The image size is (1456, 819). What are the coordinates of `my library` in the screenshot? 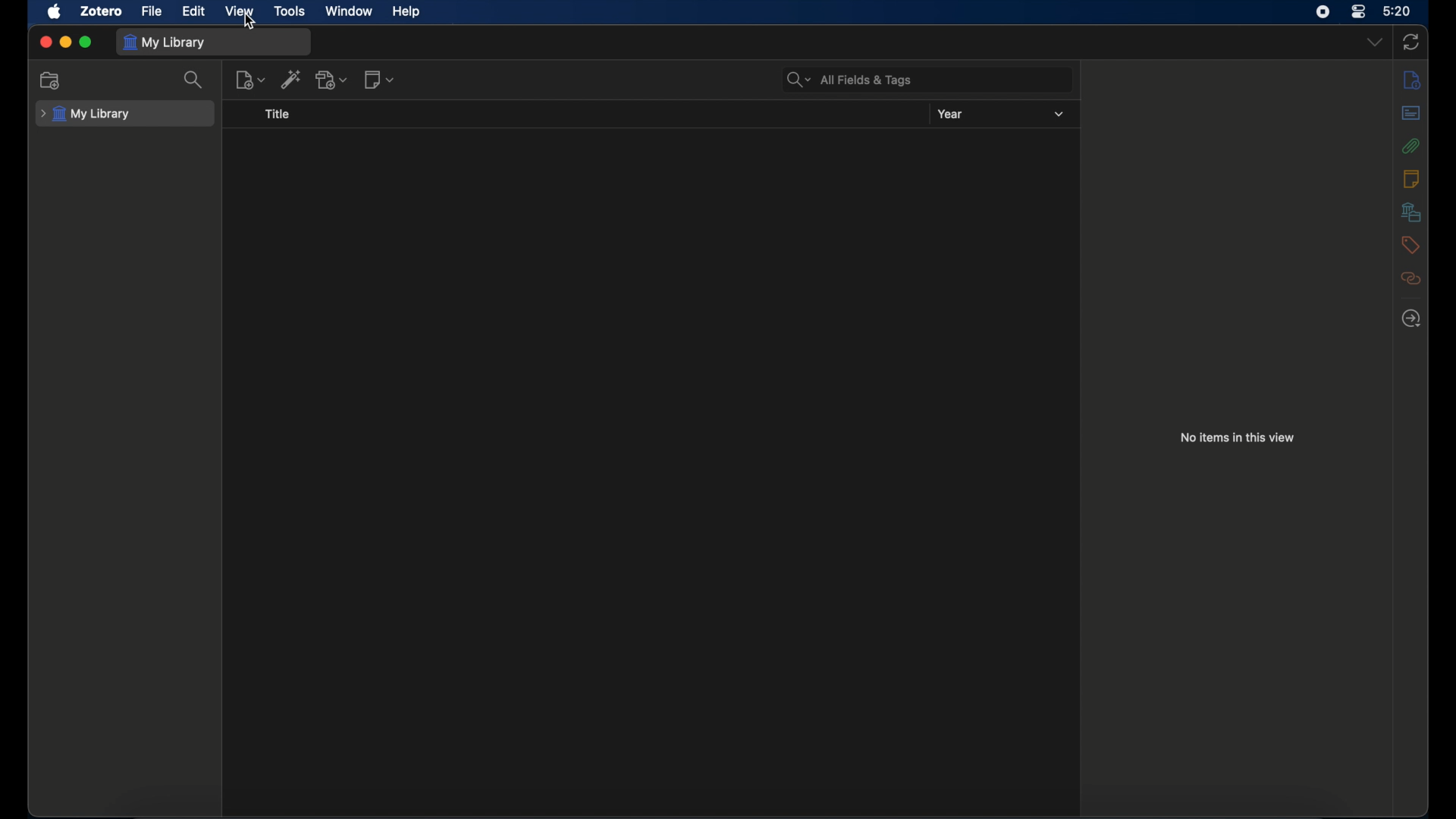 It's located at (165, 43).